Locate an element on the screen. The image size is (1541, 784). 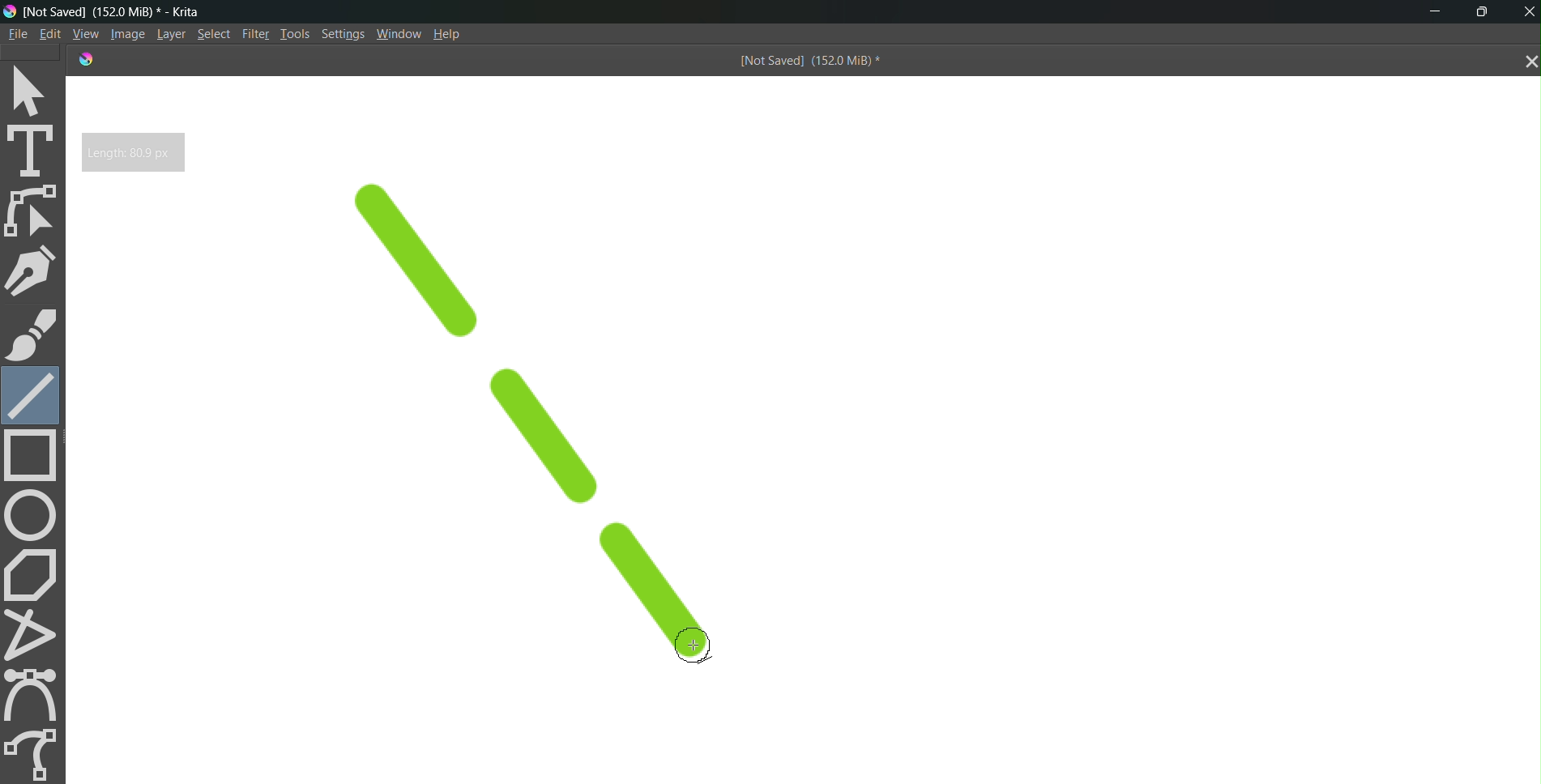
minimize is located at coordinates (1429, 13).